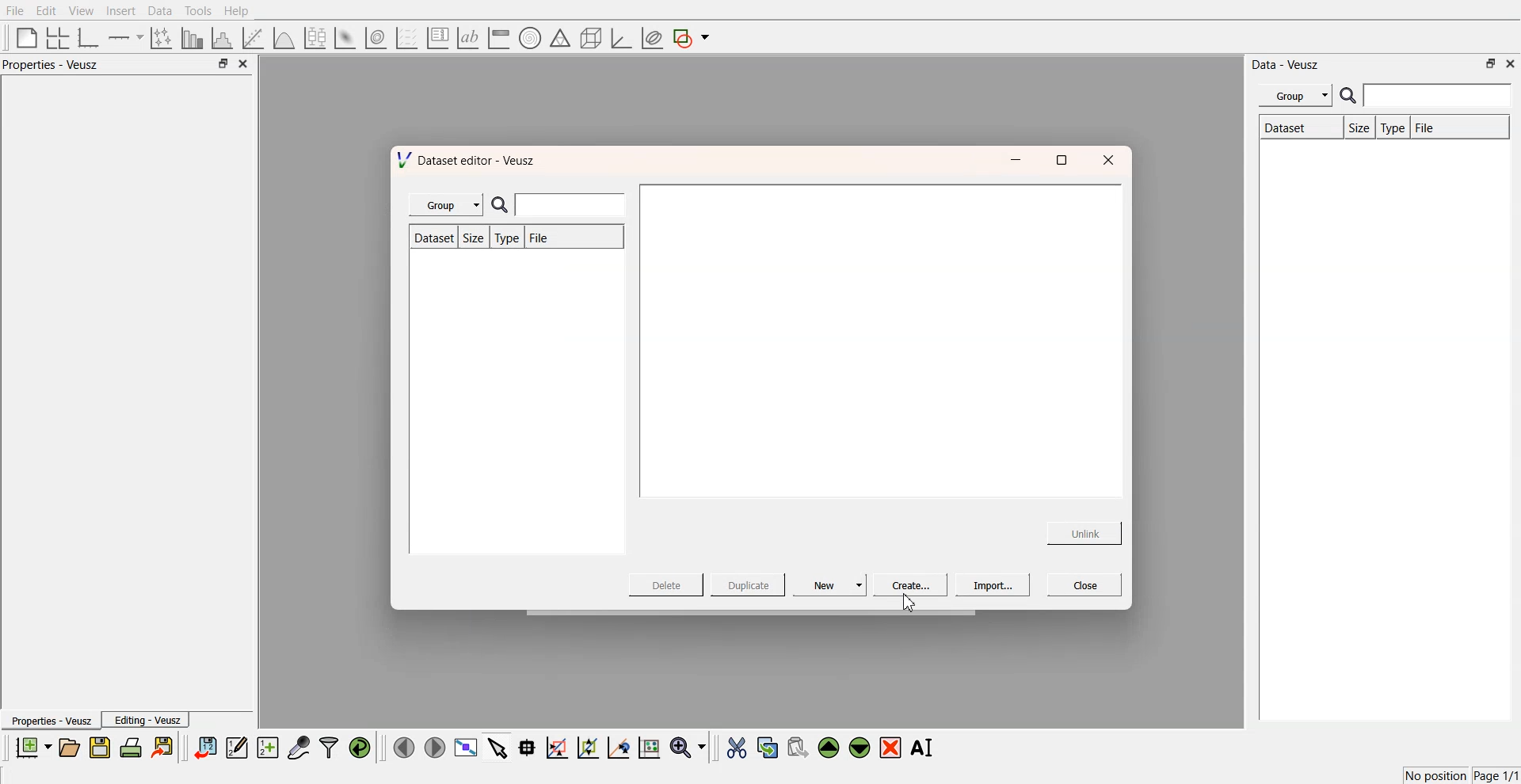 The image size is (1521, 784). Describe the element at coordinates (768, 747) in the screenshot. I see `copy the selected widgets` at that location.